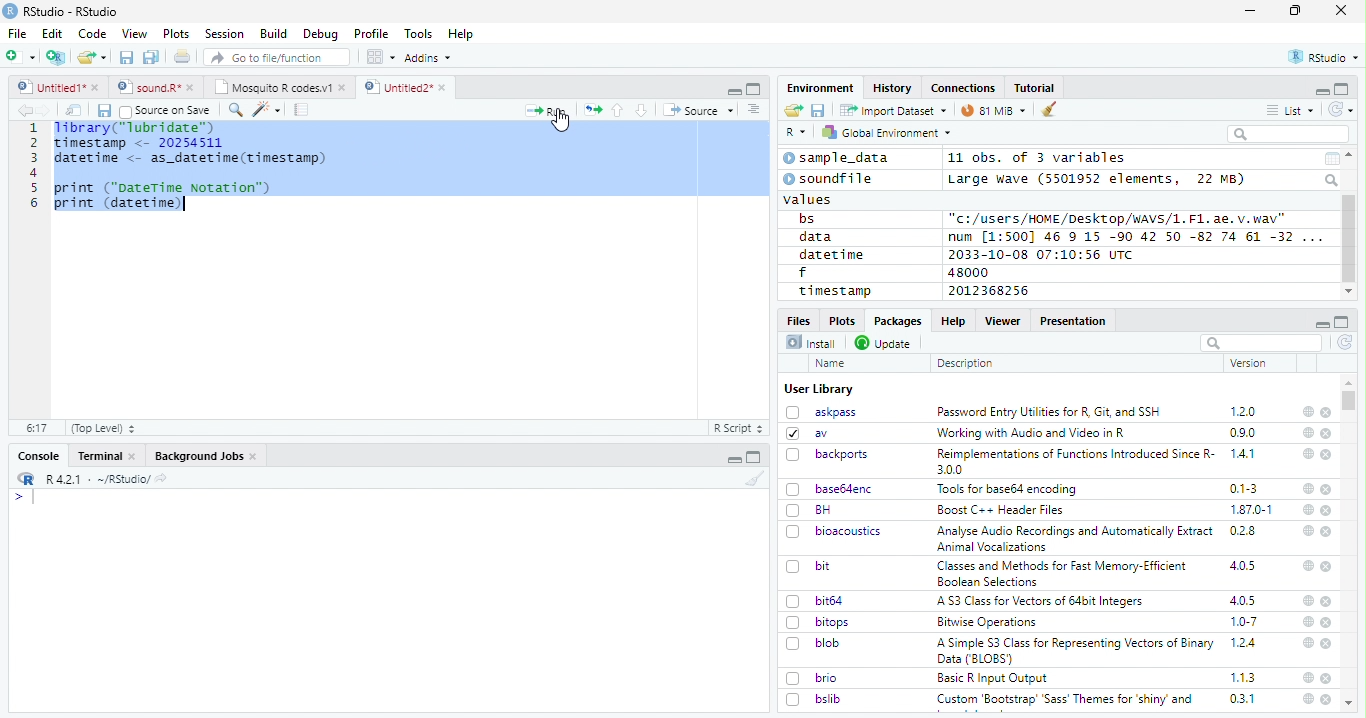 Image resolution: width=1366 pixels, height=718 pixels. I want to click on close, so click(1327, 434).